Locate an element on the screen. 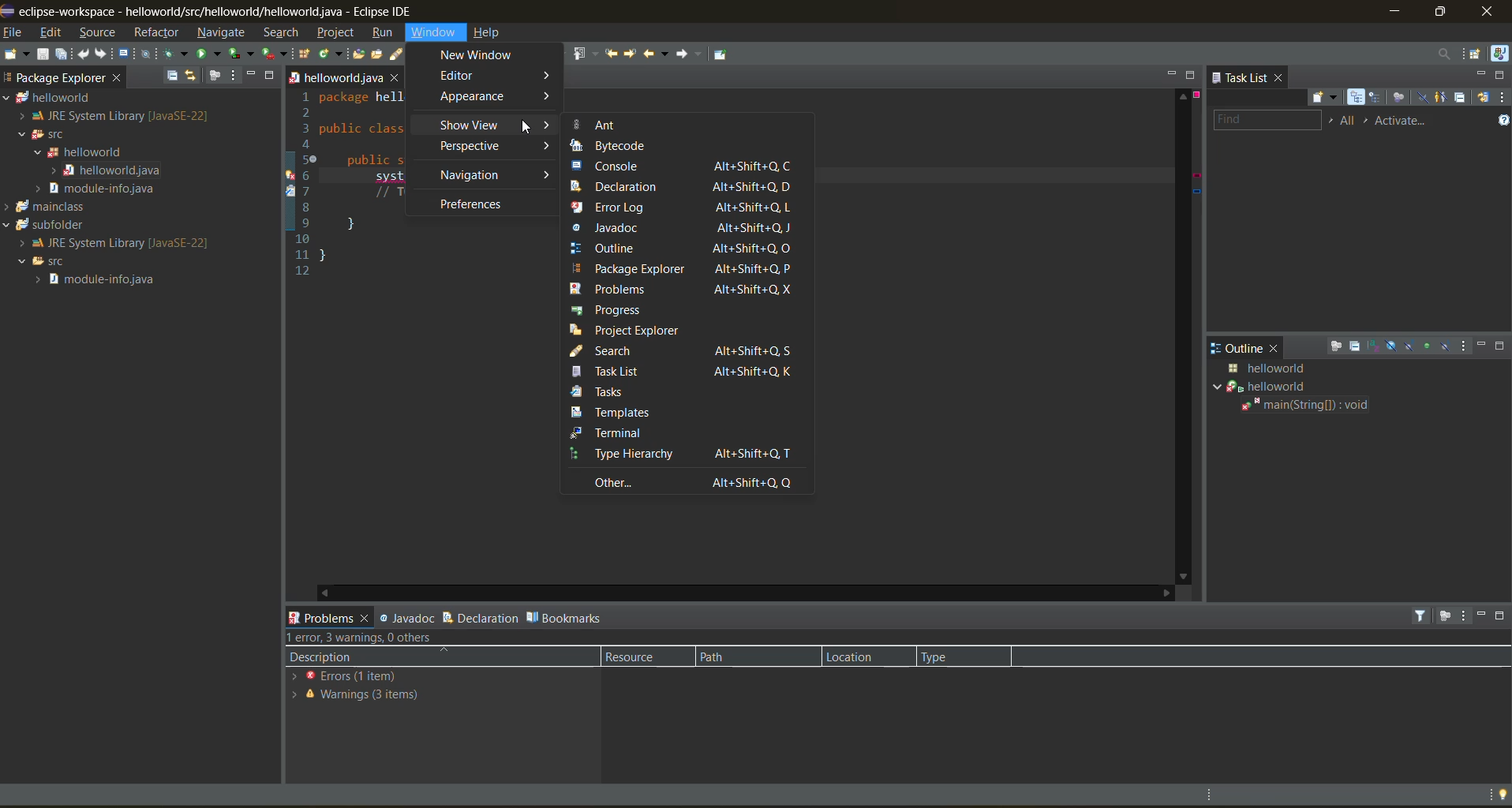  modules info java is located at coordinates (110, 190).